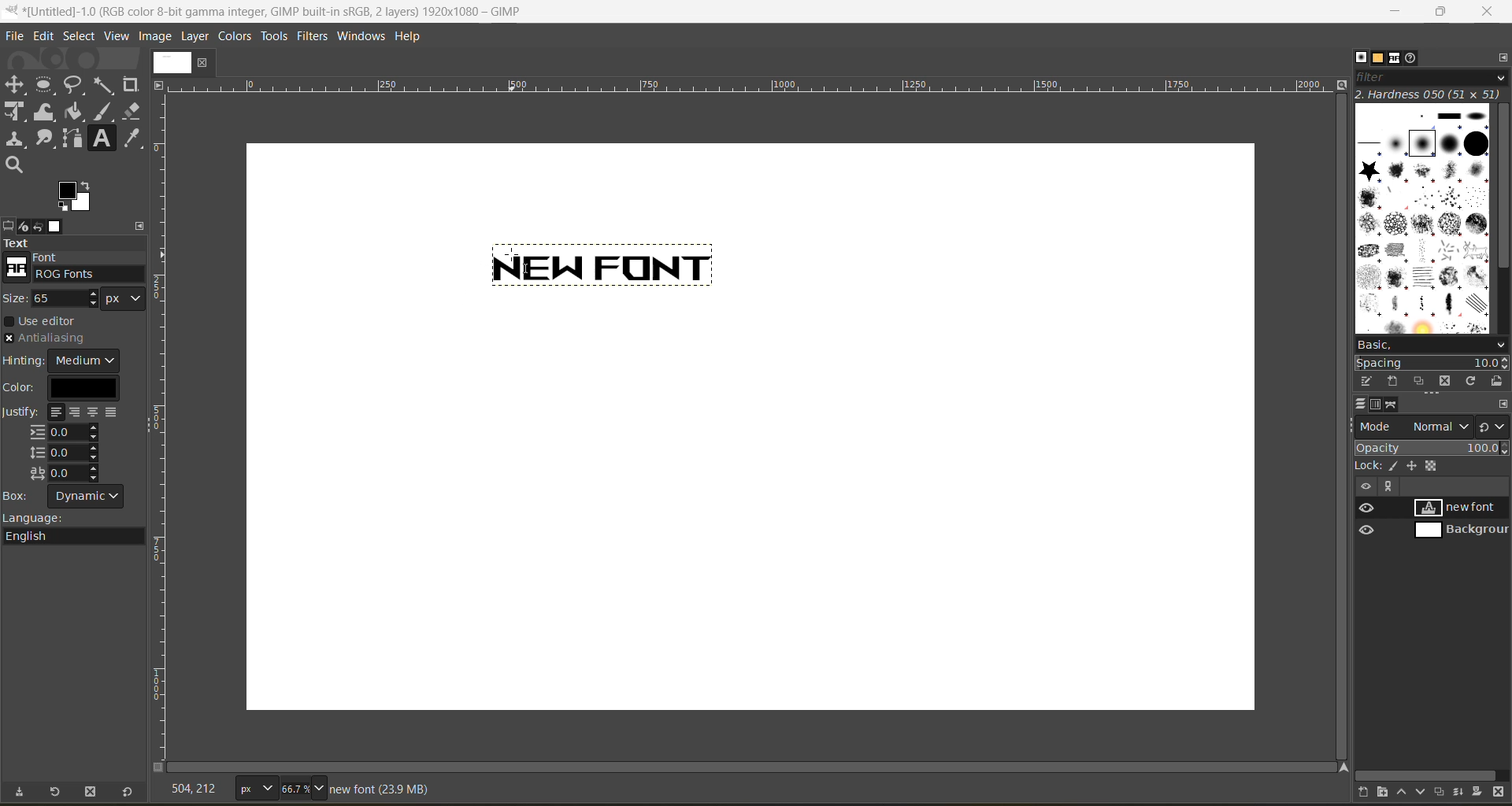  I want to click on delete tool preset, so click(92, 790).